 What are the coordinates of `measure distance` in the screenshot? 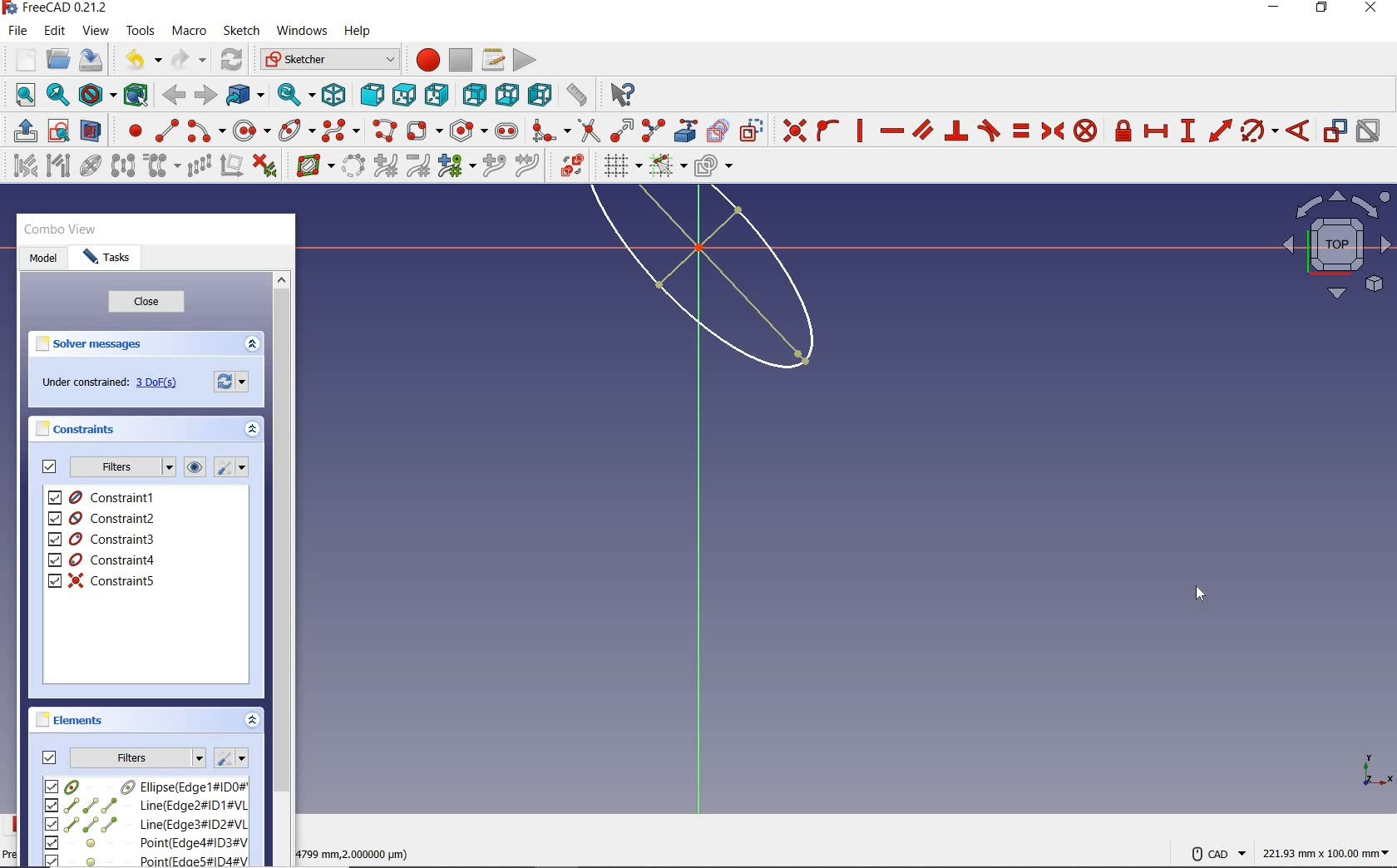 It's located at (578, 92).